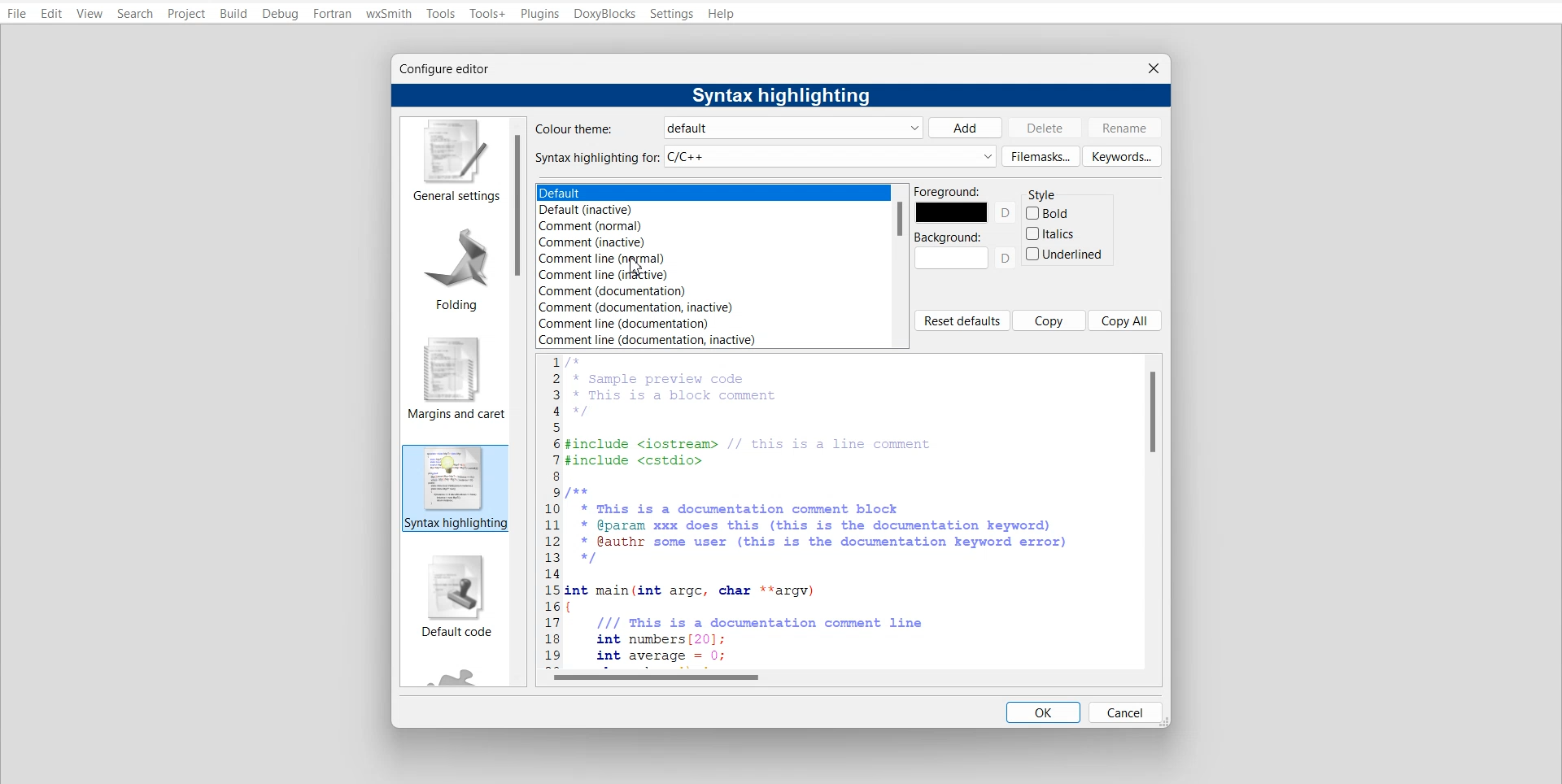  What do you see at coordinates (1047, 128) in the screenshot?
I see `Delete` at bounding box center [1047, 128].